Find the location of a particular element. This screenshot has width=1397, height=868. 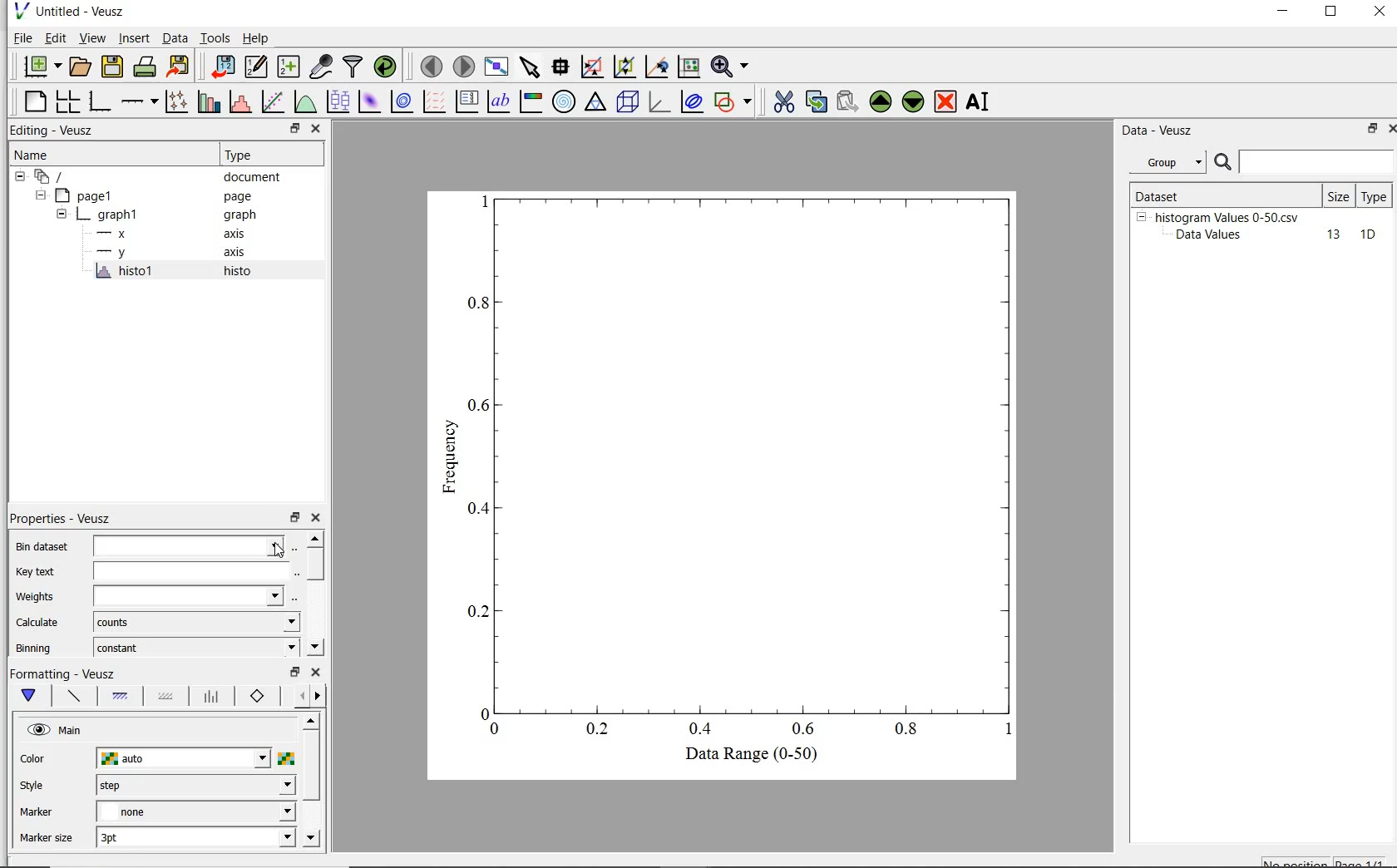

current document is located at coordinates (52, 177).